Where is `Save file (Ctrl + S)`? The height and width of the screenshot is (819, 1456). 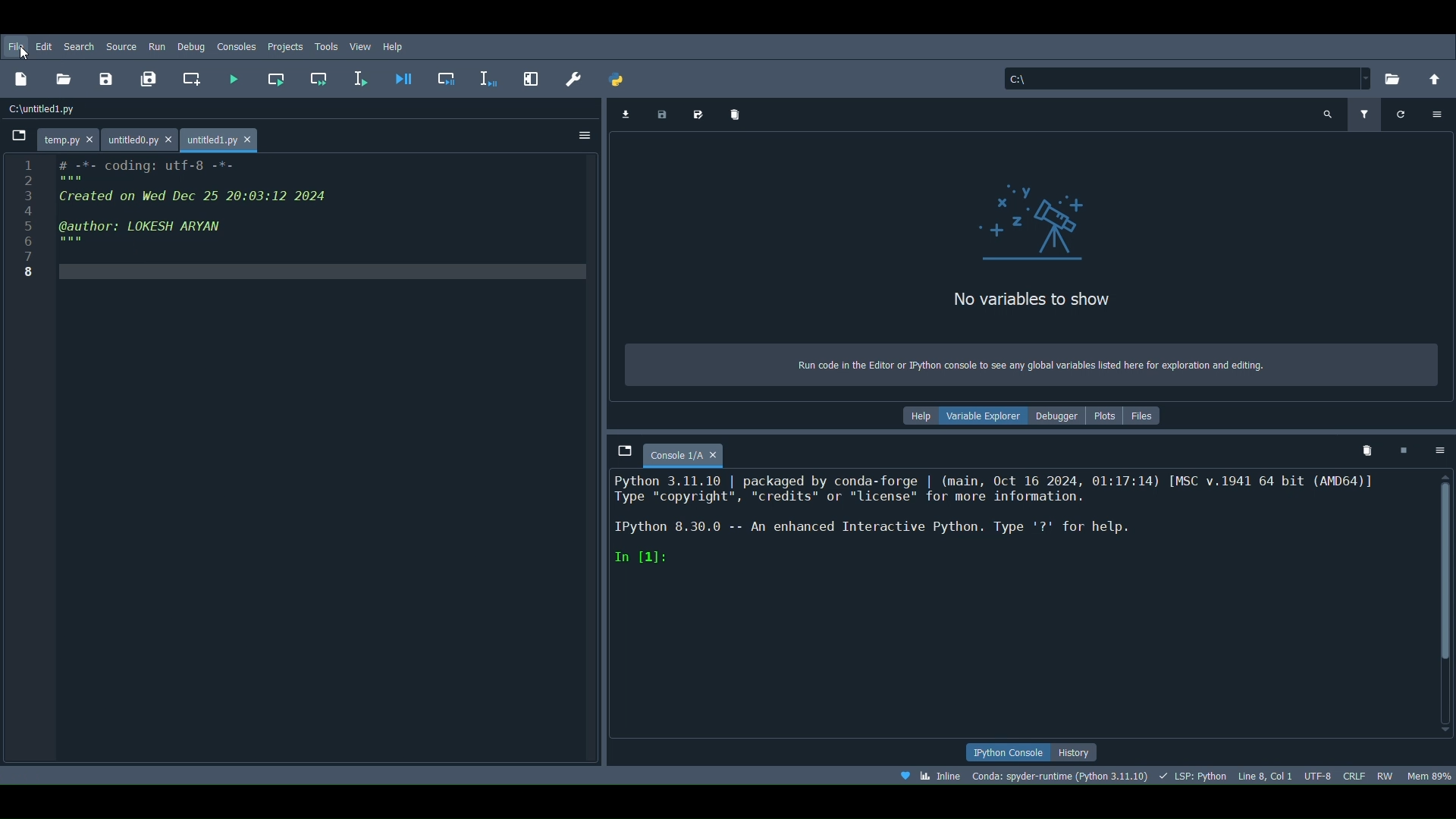 Save file (Ctrl + S) is located at coordinates (110, 78).